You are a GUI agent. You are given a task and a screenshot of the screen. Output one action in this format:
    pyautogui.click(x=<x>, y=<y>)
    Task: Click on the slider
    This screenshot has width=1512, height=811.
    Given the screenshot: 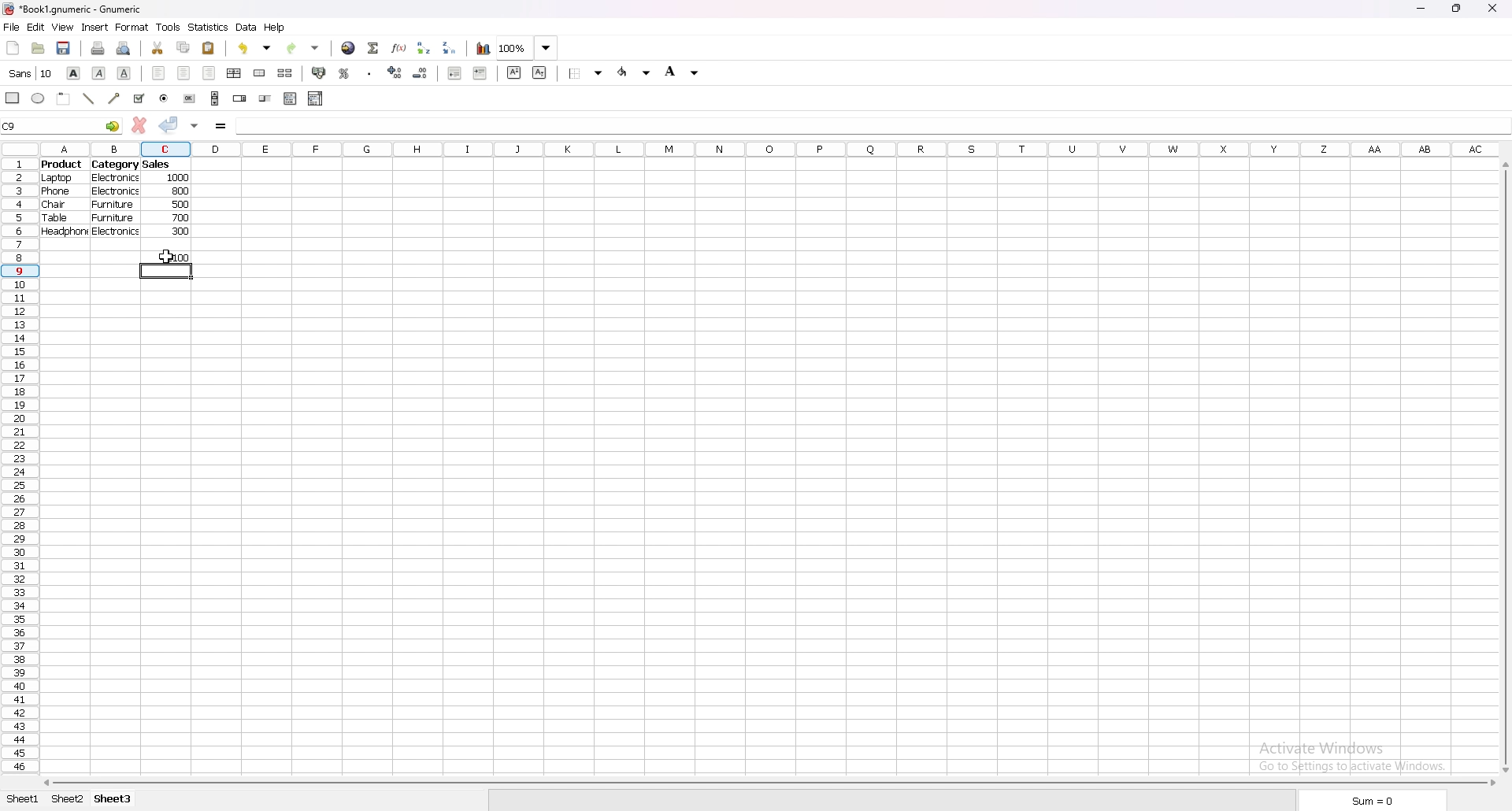 What is the action you would take?
    pyautogui.click(x=265, y=100)
    